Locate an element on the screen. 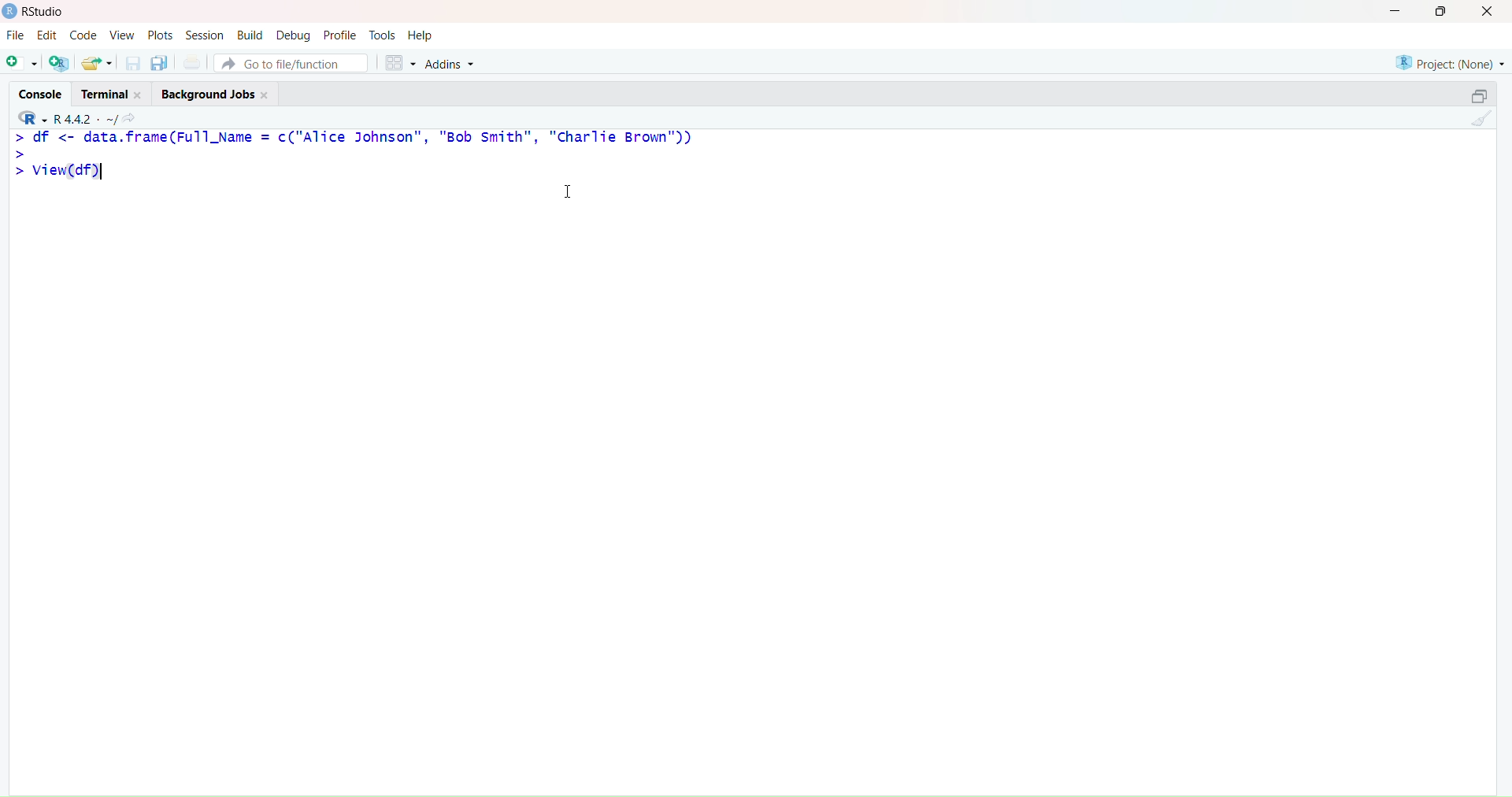 The width and height of the screenshot is (1512, 797). R is located at coordinates (28, 117).